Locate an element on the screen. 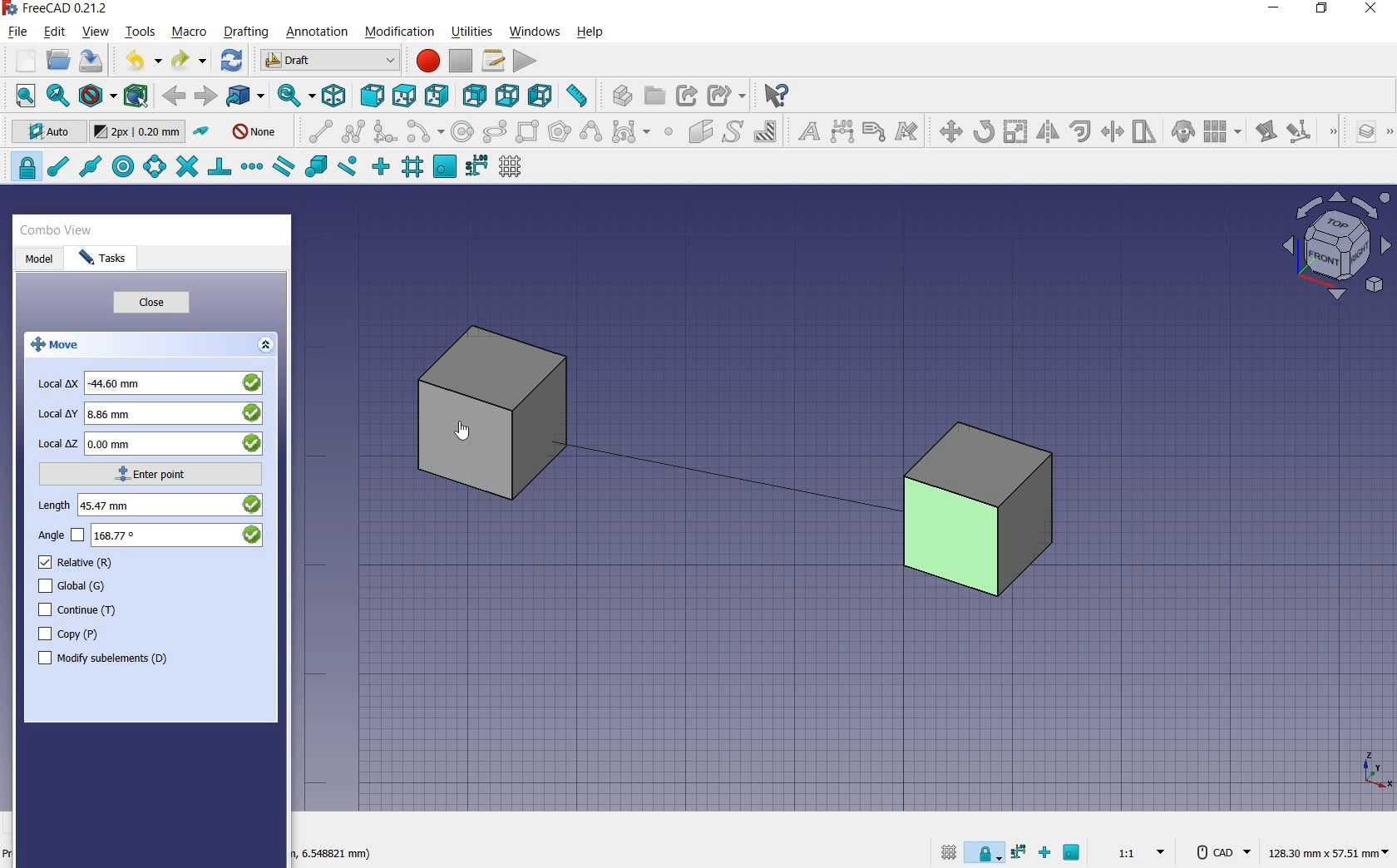 The height and width of the screenshot is (868, 1397). draw style is located at coordinates (95, 95).